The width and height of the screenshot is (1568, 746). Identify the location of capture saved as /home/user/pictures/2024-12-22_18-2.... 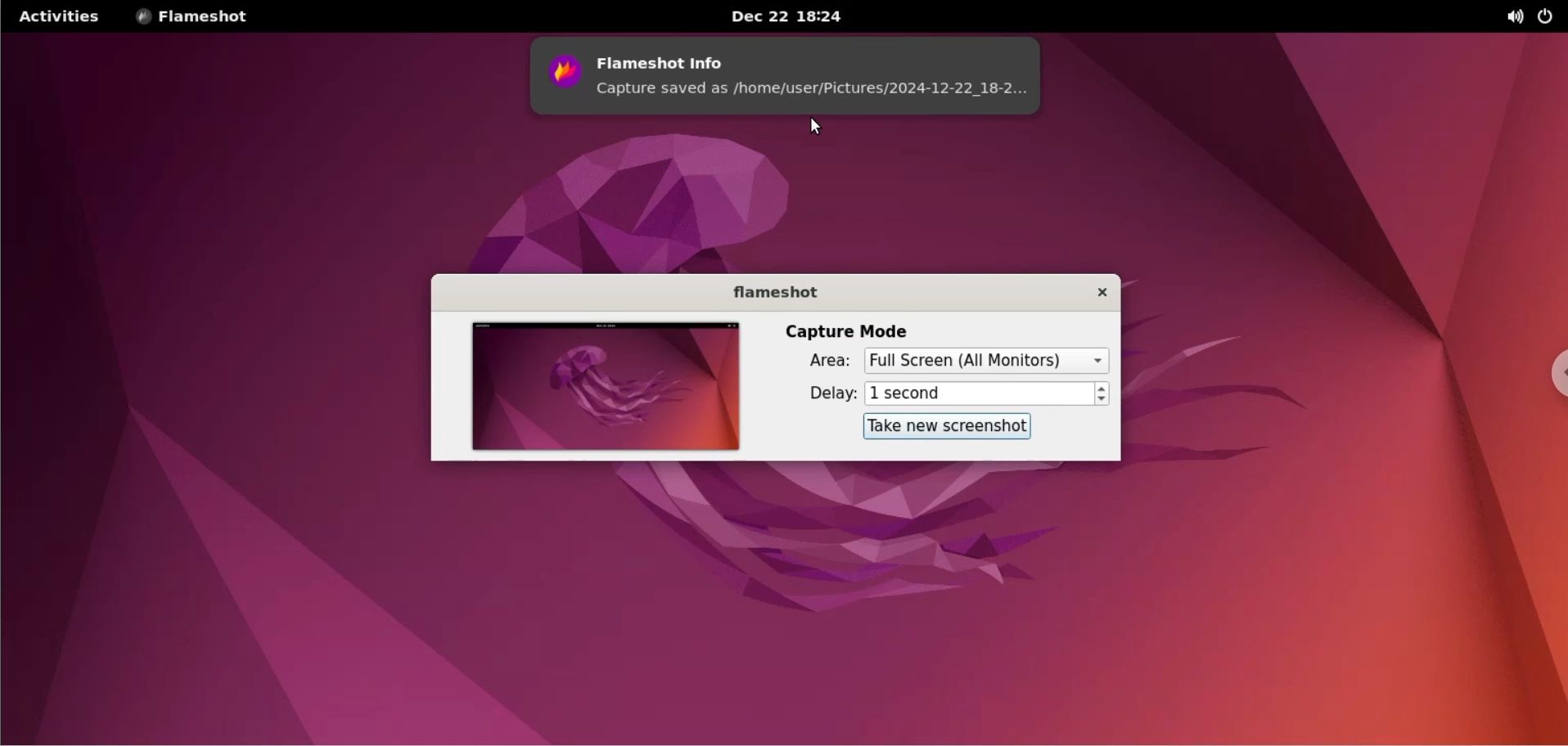
(814, 97).